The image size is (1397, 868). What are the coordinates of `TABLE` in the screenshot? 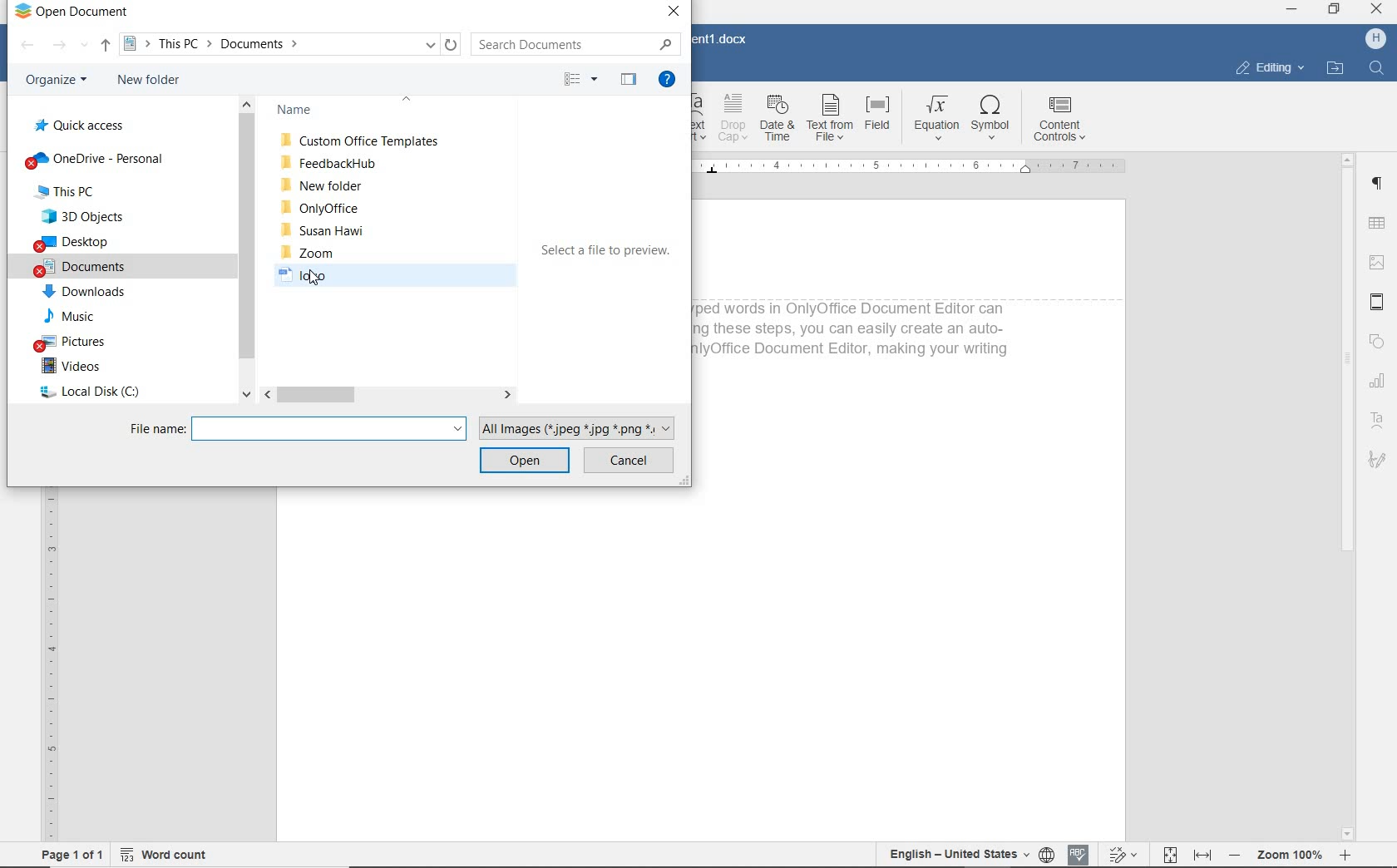 It's located at (1375, 224).